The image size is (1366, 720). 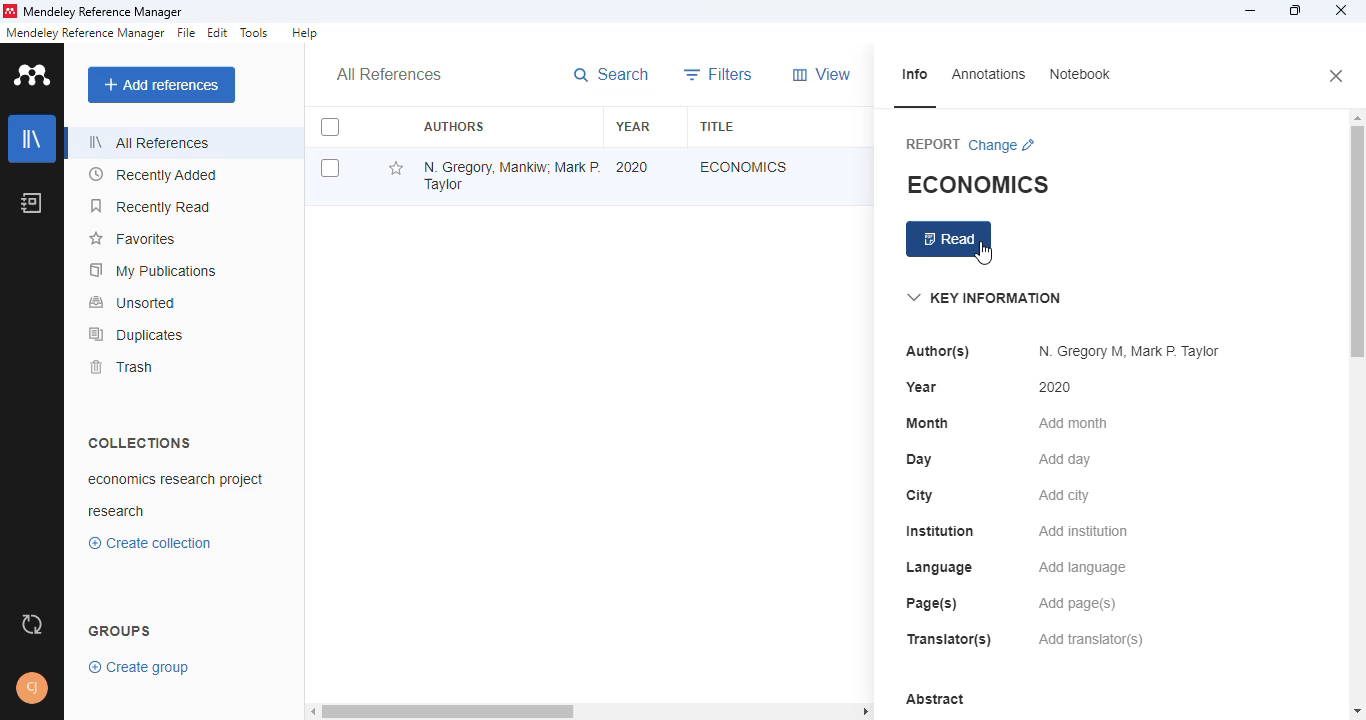 What do you see at coordinates (1055, 386) in the screenshot?
I see `2020` at bounding box center [1055, 386].